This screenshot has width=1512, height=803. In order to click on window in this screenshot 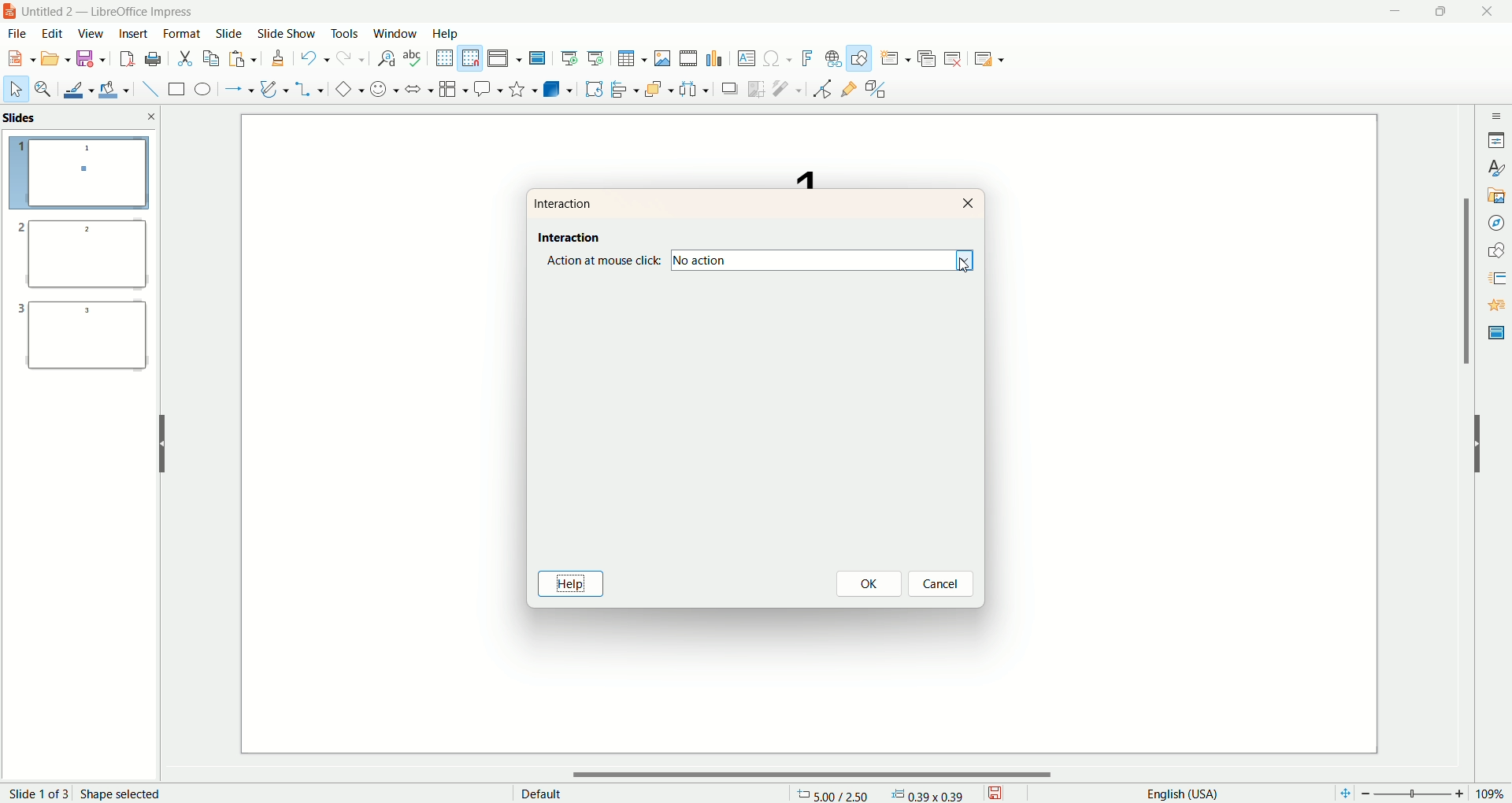, I will do `click(395, 33)`.